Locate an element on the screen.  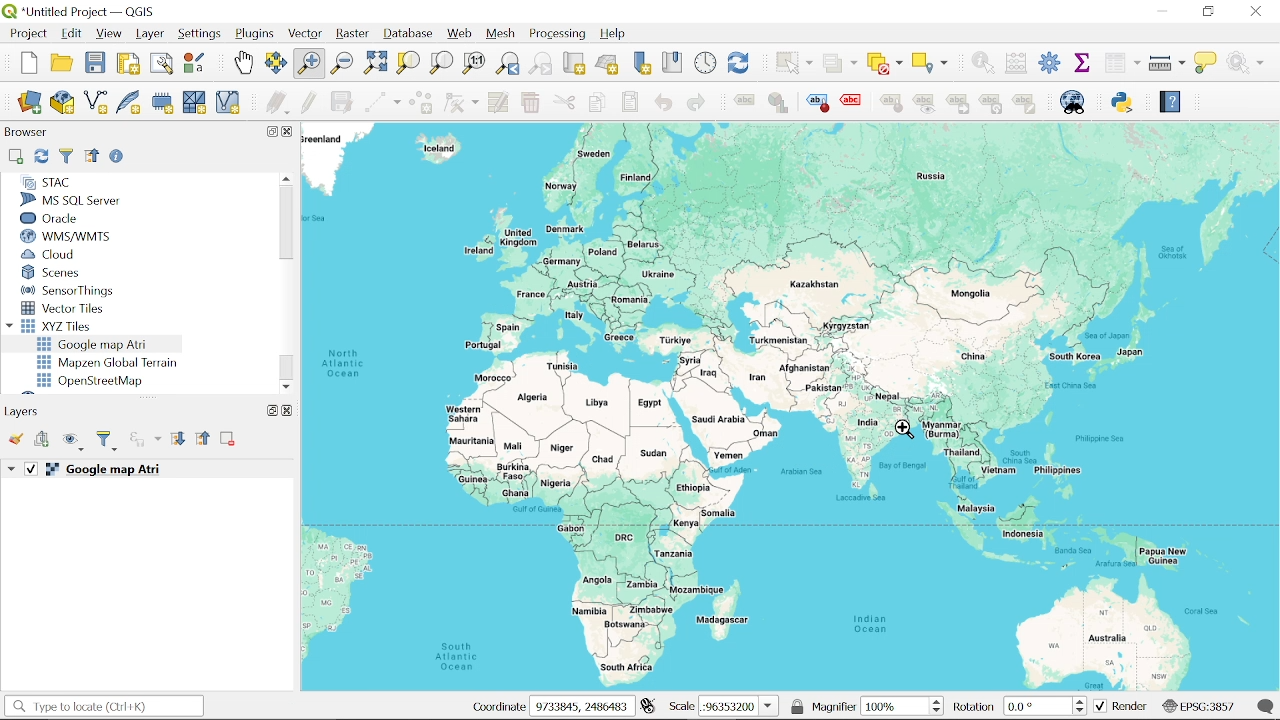
Zoom to selection is located at coordinates (407, 62).